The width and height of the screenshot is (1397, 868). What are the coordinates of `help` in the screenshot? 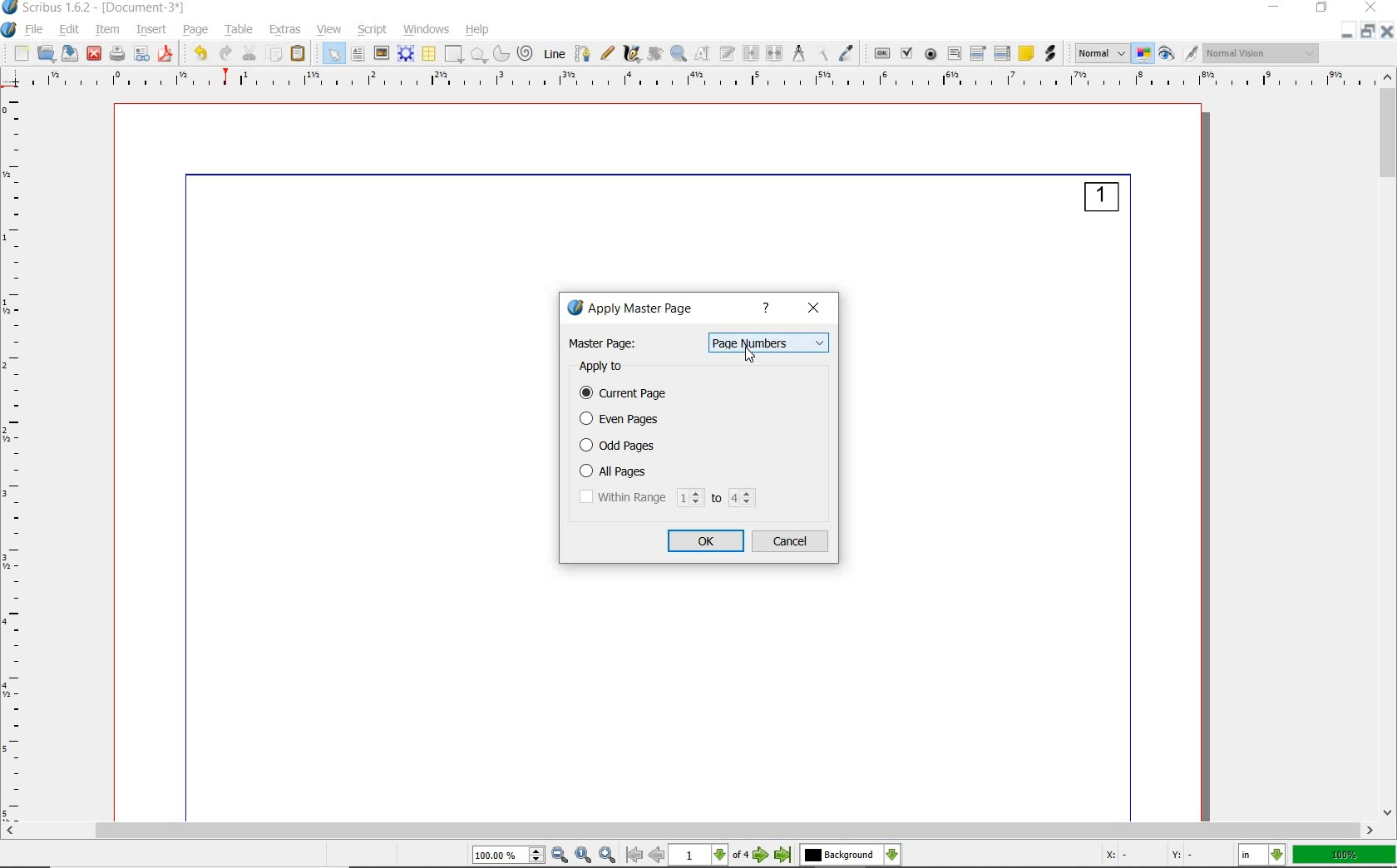 It's located at (768, 309).